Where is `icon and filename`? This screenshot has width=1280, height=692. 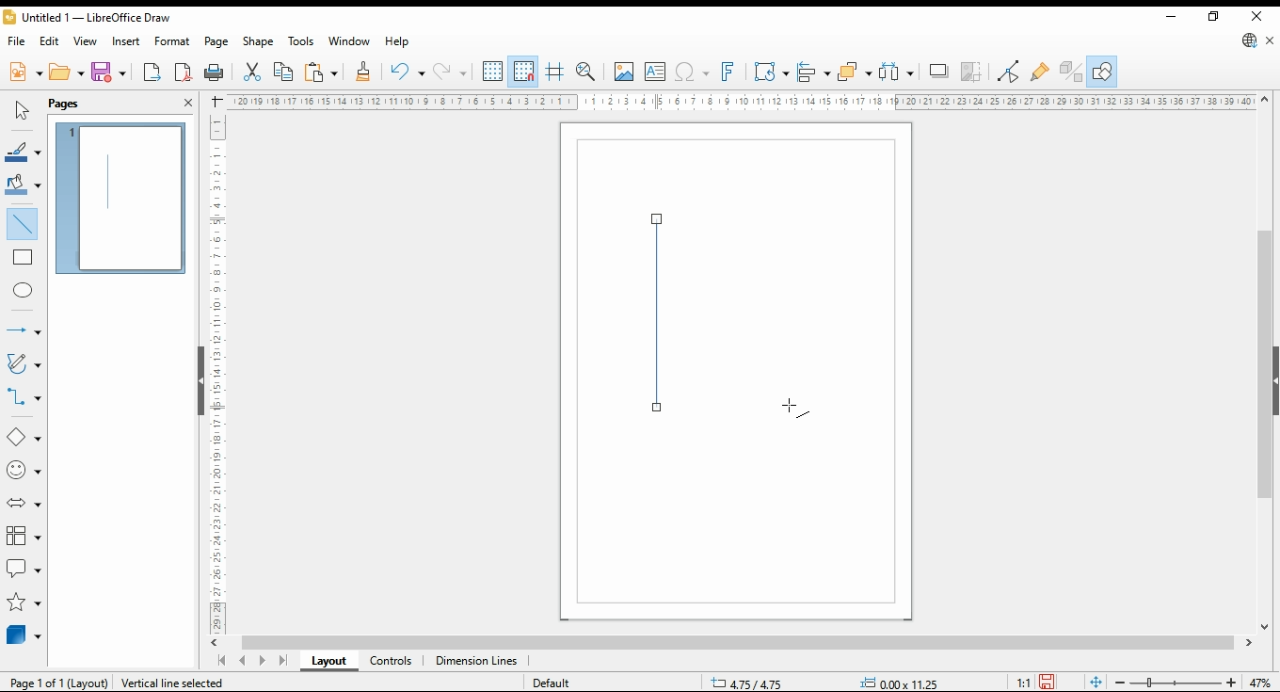 icon and filename is located at coordinates (90, 20).